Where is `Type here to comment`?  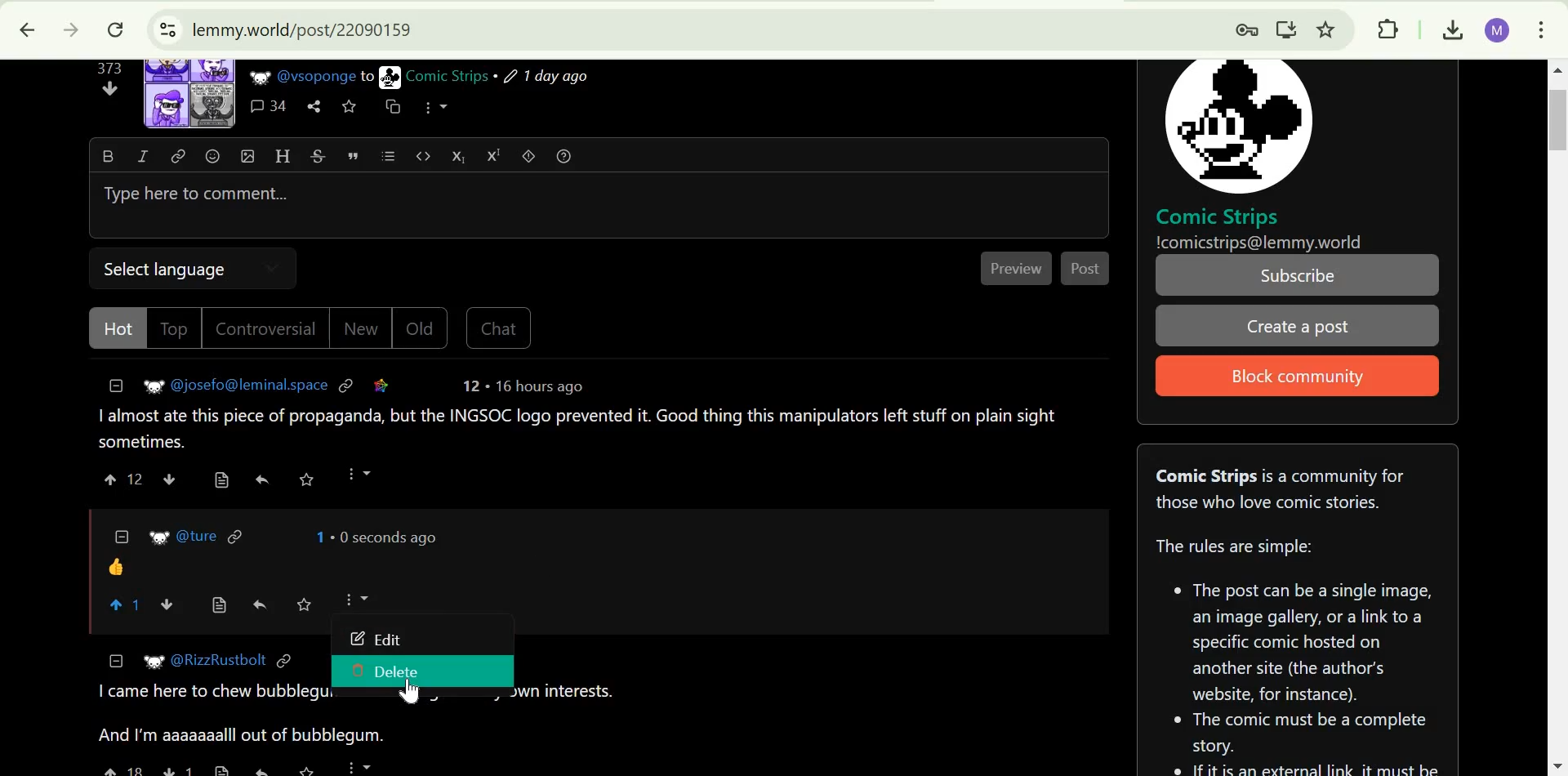 Type here to comment is located at coordinates (596, 207).